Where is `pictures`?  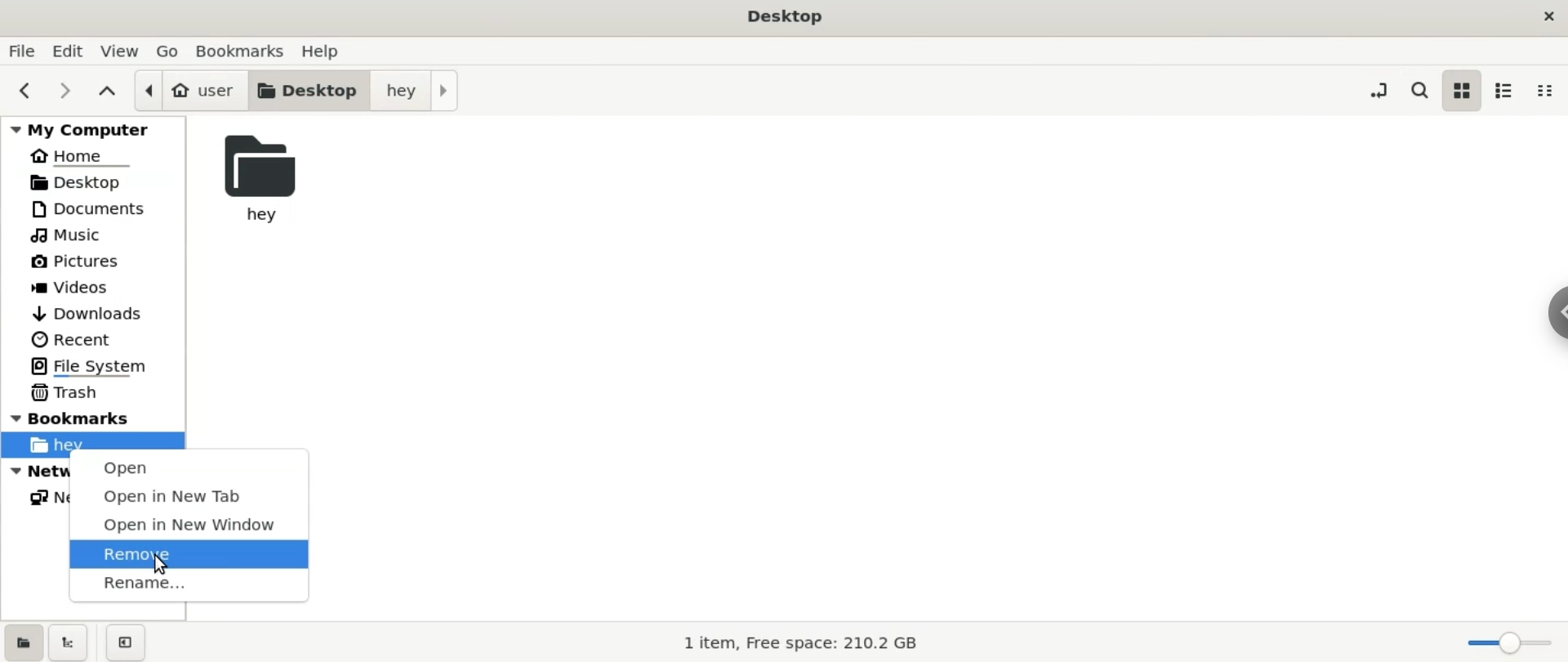
pictures is located at coordinates (71, 260).